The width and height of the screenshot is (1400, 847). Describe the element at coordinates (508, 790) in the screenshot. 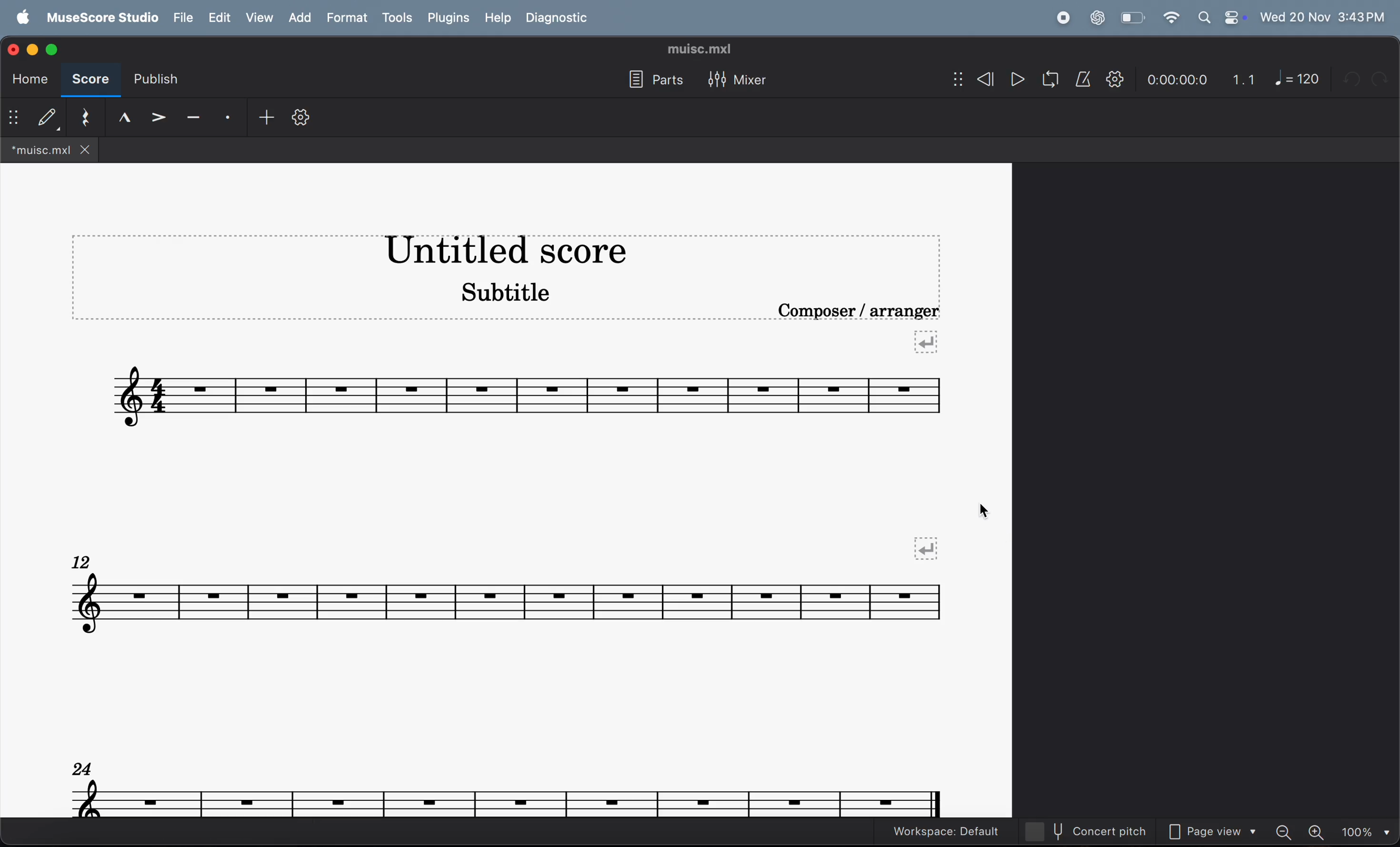

I see `notes` at that location.